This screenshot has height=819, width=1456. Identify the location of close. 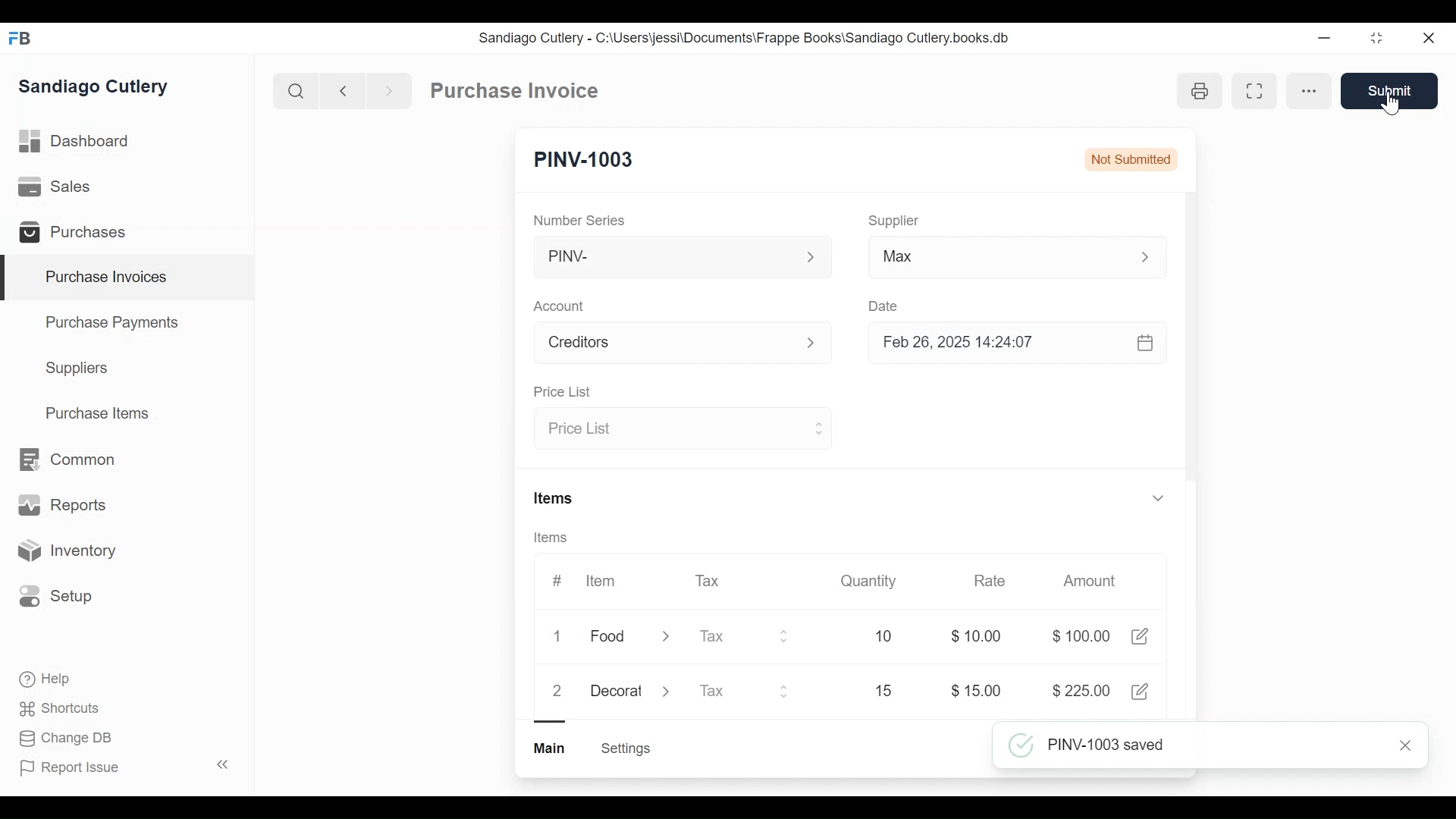
(1427, 39).